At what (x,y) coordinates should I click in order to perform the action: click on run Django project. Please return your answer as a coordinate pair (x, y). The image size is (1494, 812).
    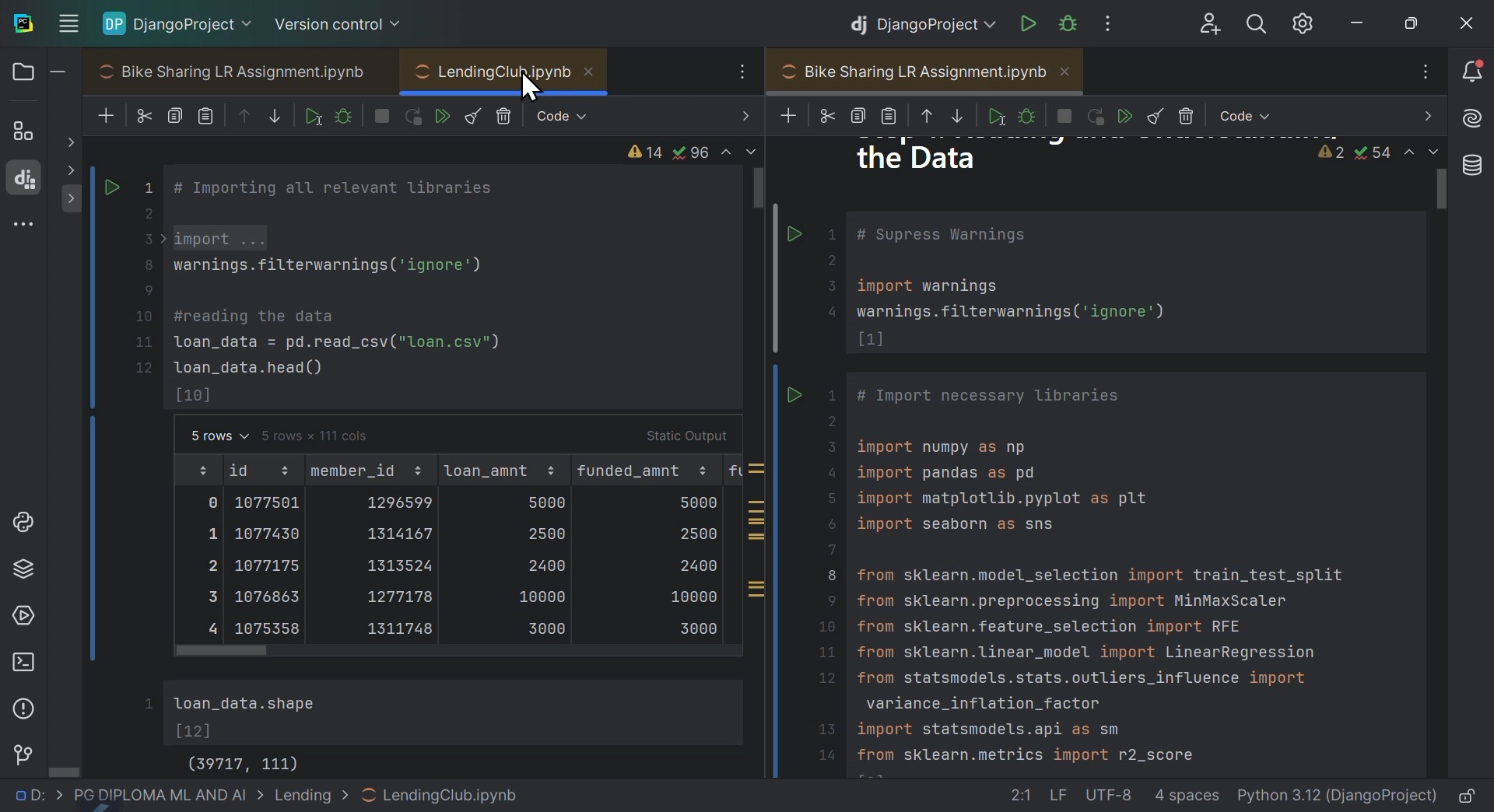
    Looking at the image, I should click on (1025, 19).